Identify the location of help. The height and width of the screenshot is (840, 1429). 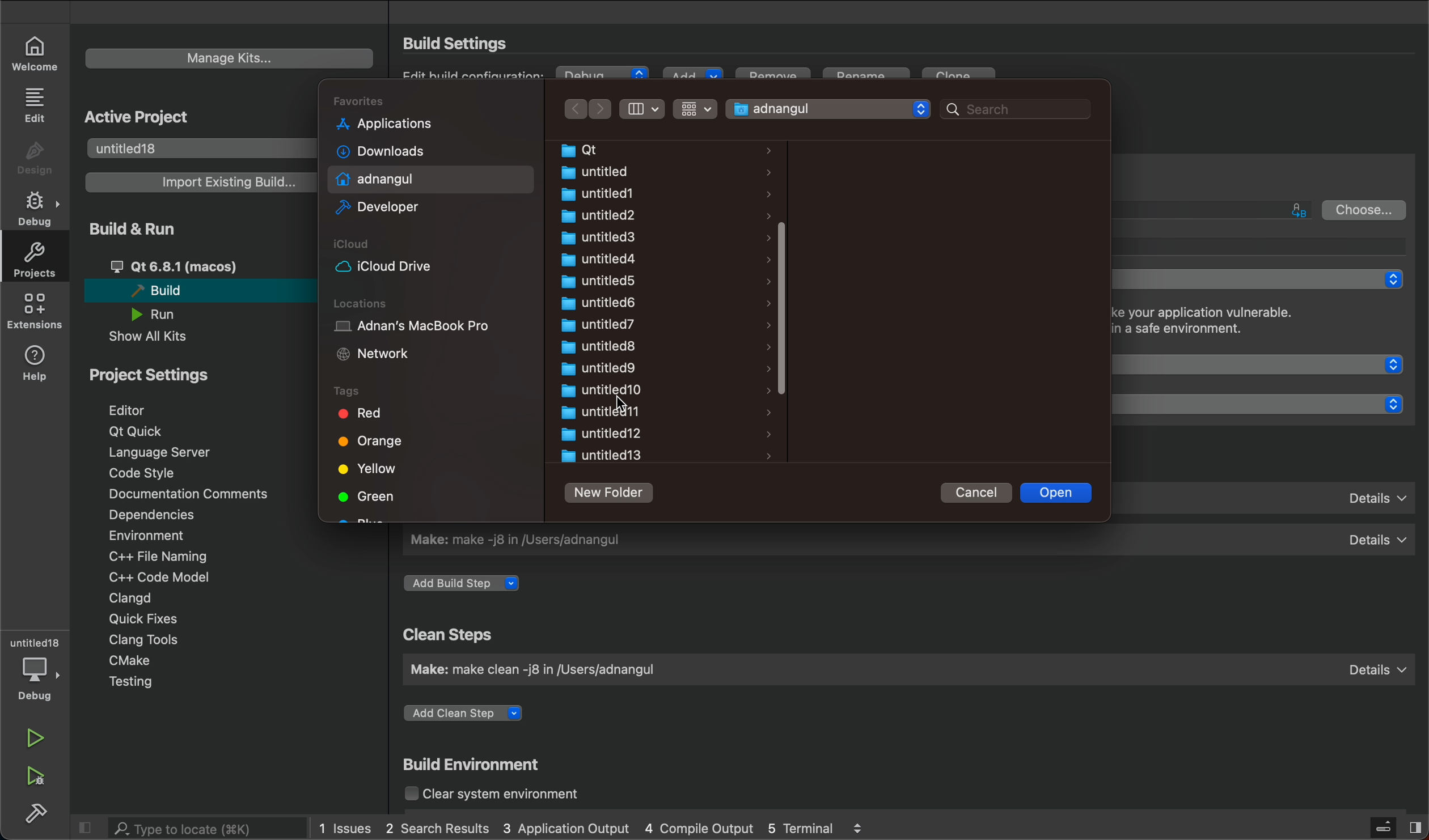
(34, 364).